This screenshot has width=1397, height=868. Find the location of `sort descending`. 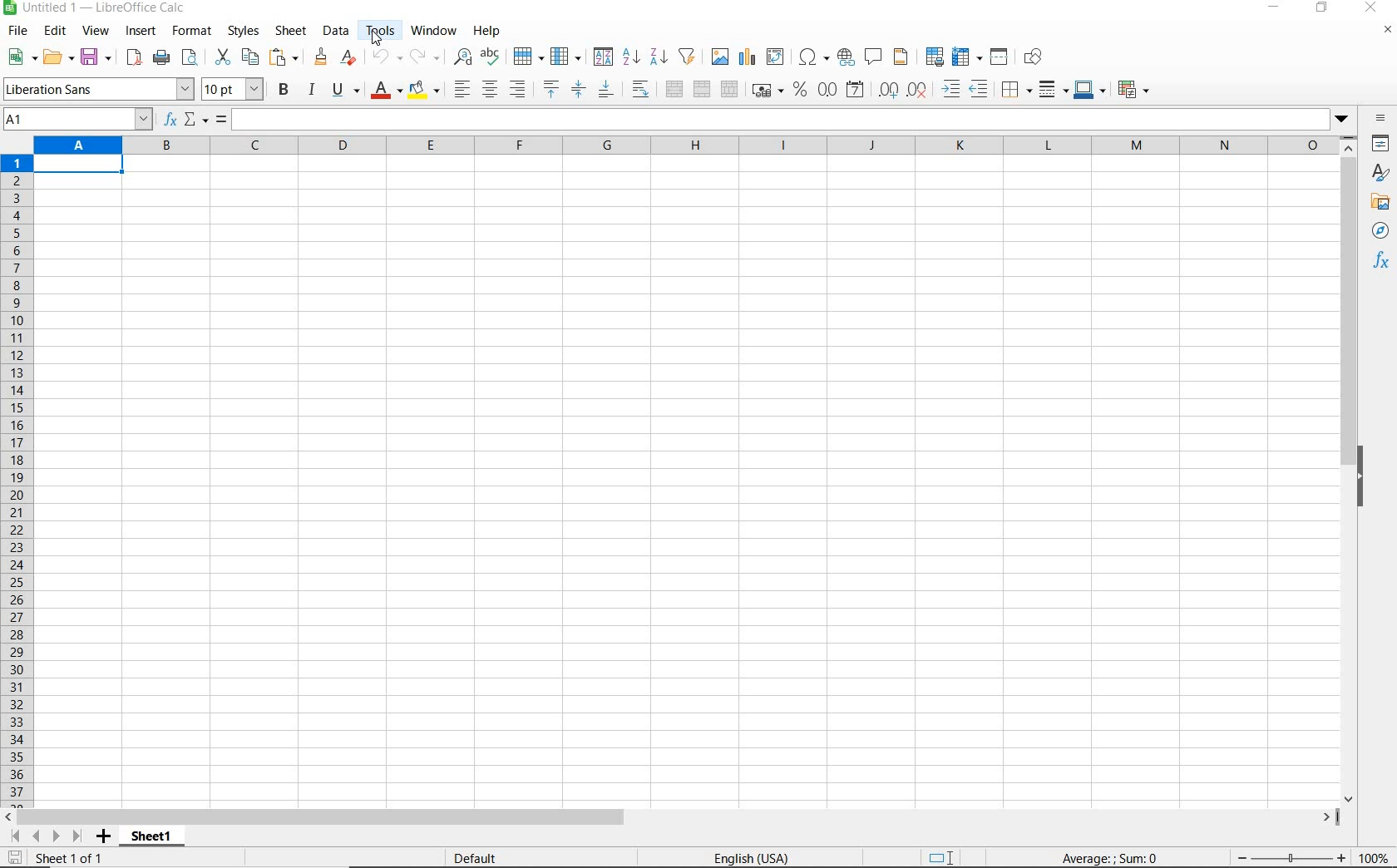

sort descending is located at coordinates (658, 57).